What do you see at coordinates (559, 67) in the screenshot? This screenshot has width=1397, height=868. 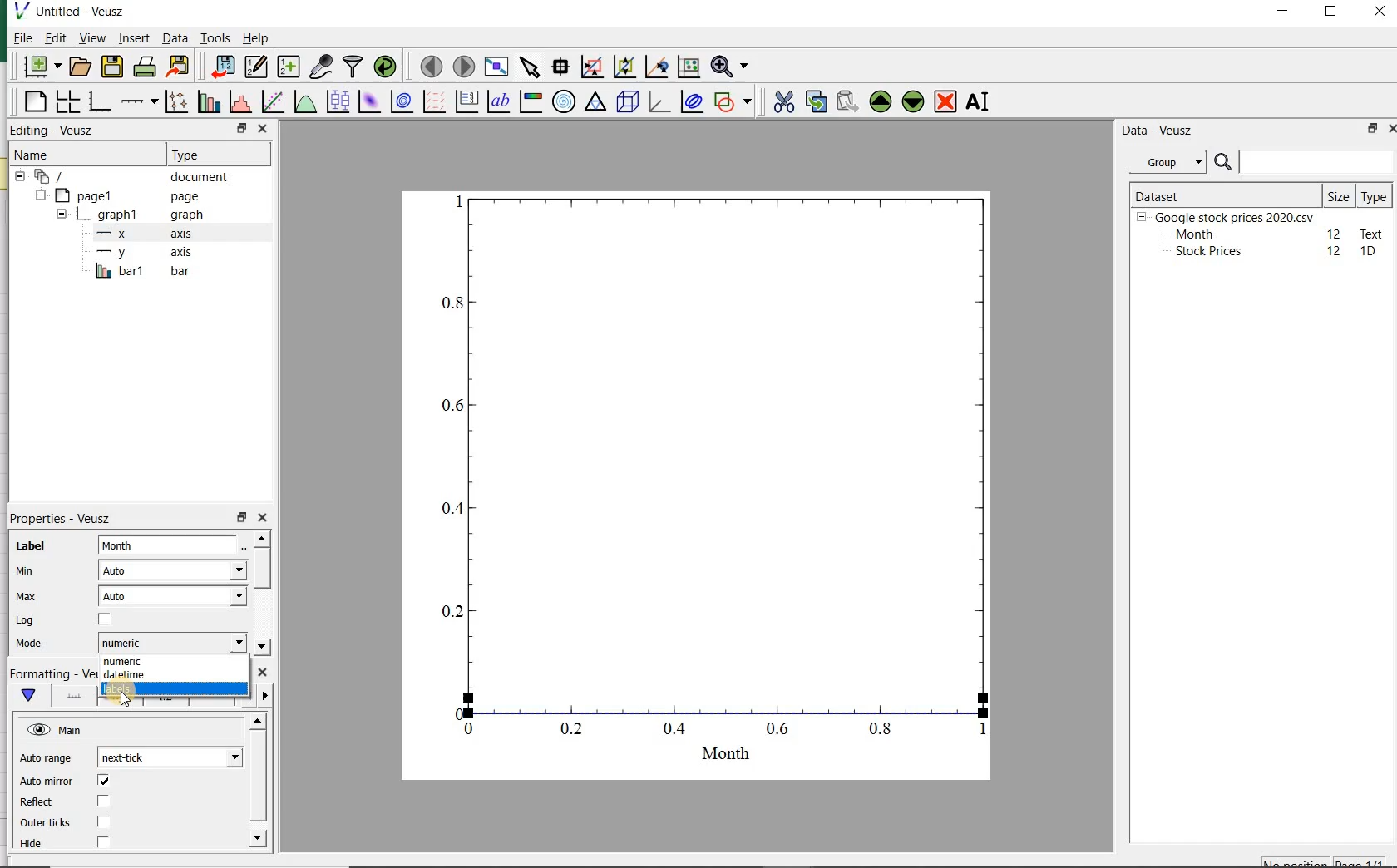 I see `read data points on the graph` at bounding box center [559, 67].